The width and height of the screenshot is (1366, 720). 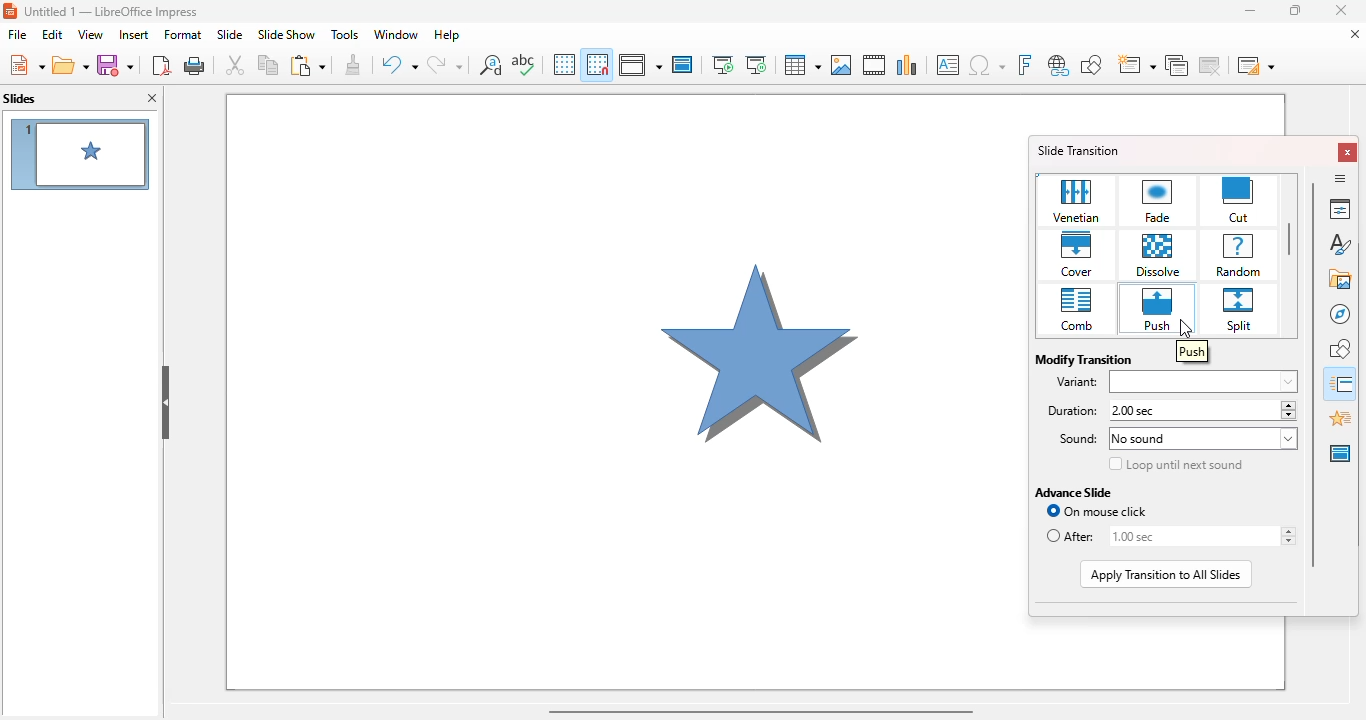 I want to click on sidebar settings, so click(x=1340, y=178).